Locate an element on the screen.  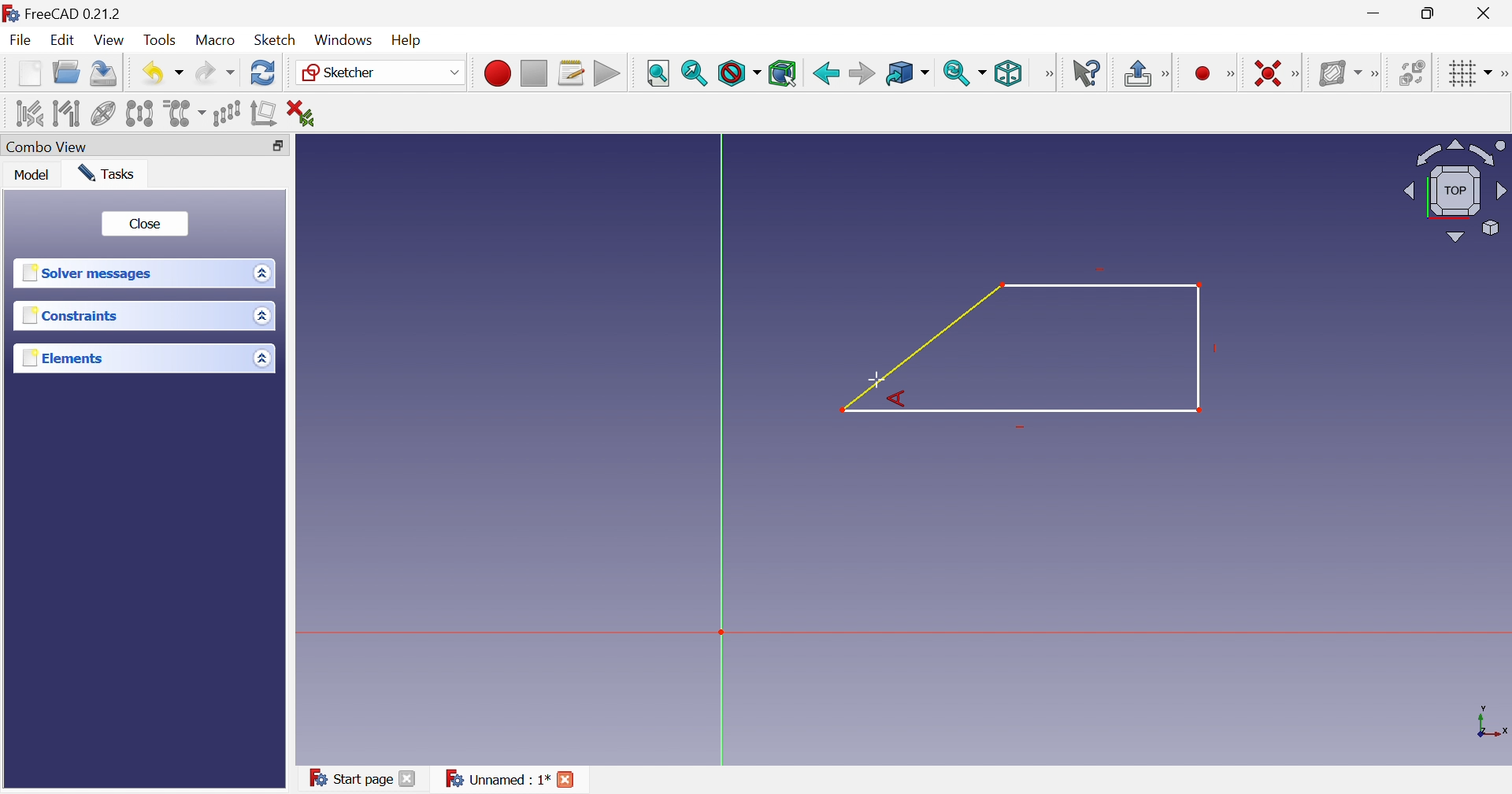
Symmetry is located at coordinates (140, 114).